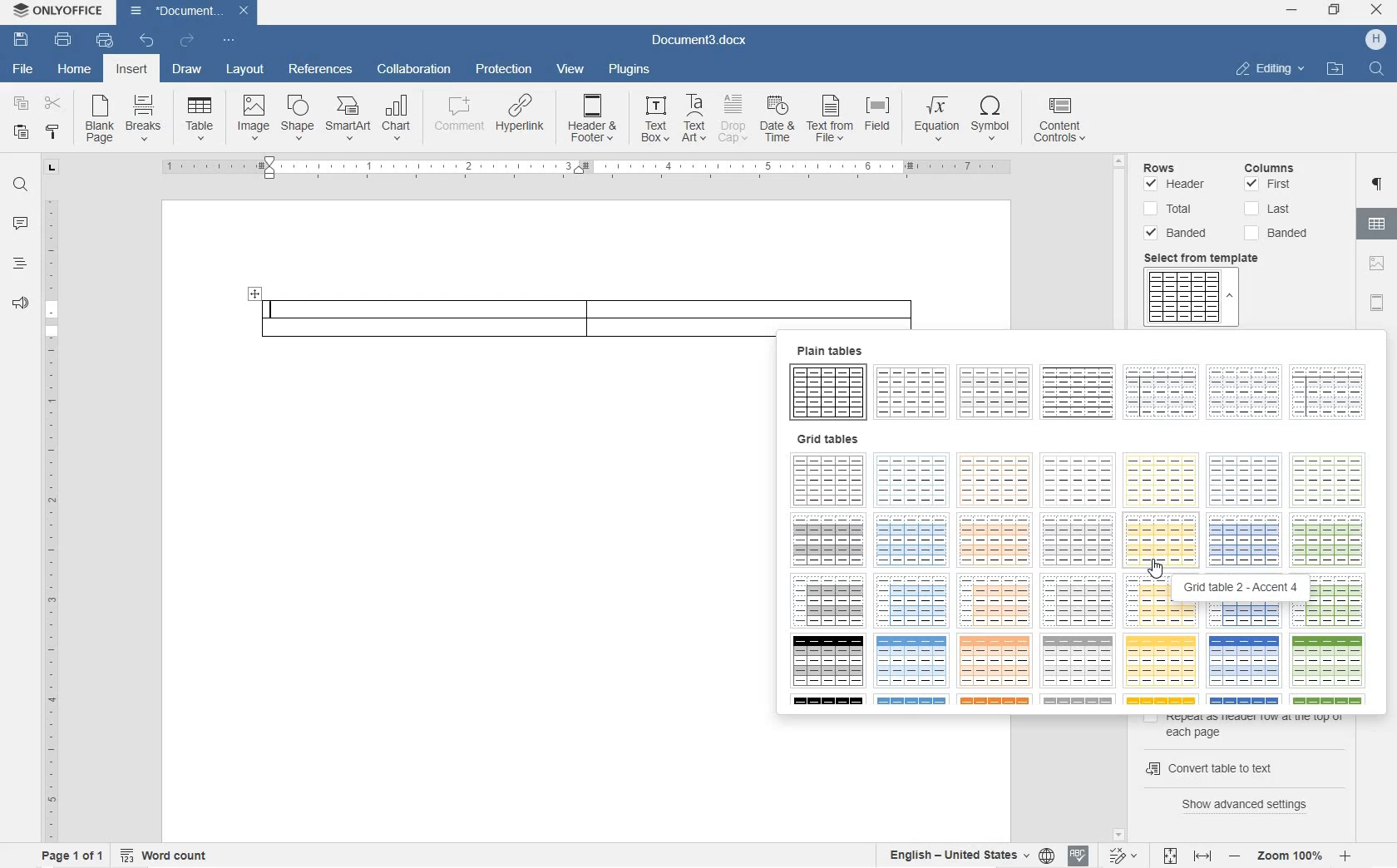 The height and width of the screenshot is (868, 1397). Describe the element at coordinates (54, 134) in the screenshot. I see `COPY STYLE` at that location.